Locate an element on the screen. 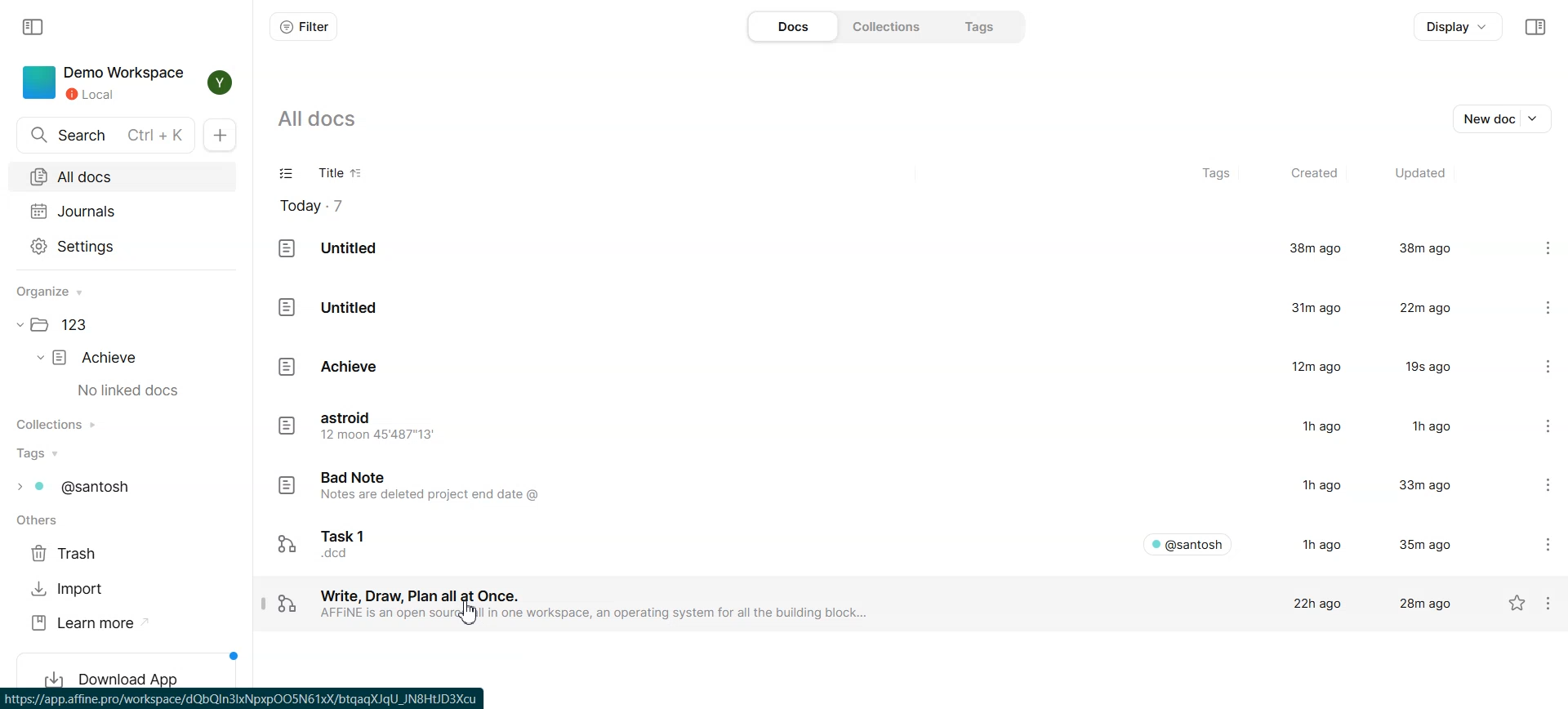  Collections is located at coordinates (884, 25).